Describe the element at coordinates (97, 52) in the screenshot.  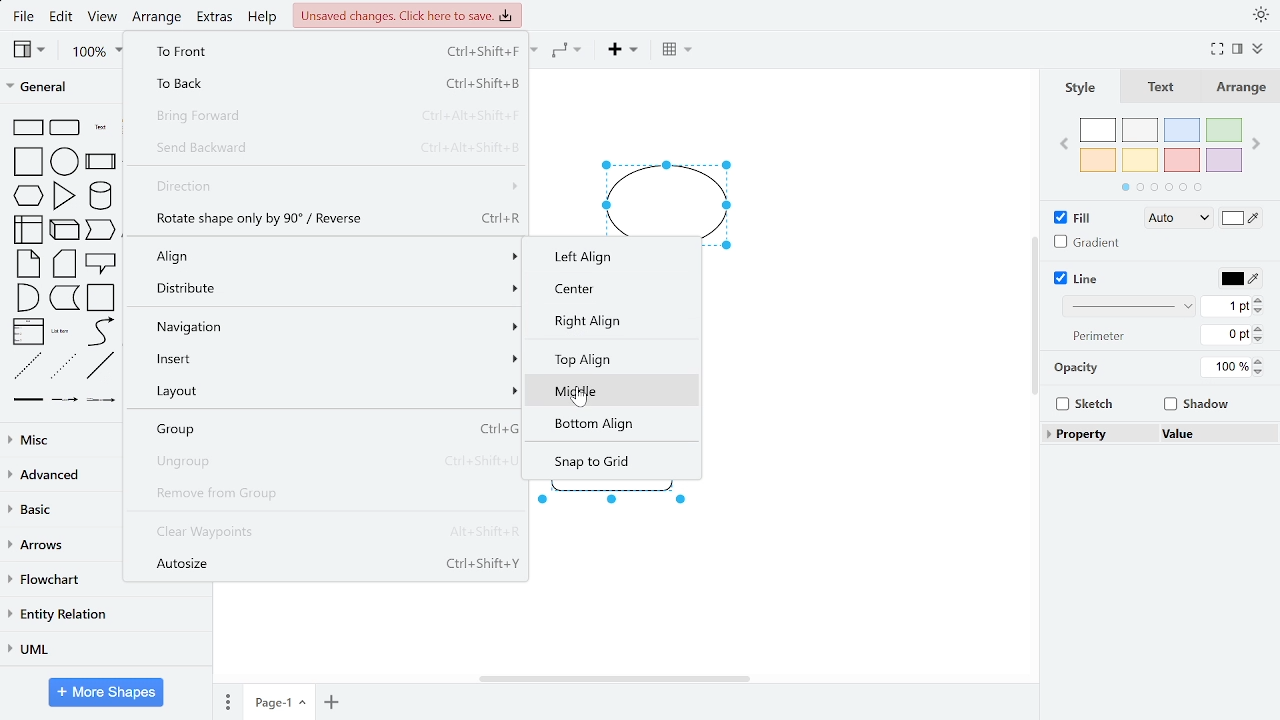
I see `100%` at that location.